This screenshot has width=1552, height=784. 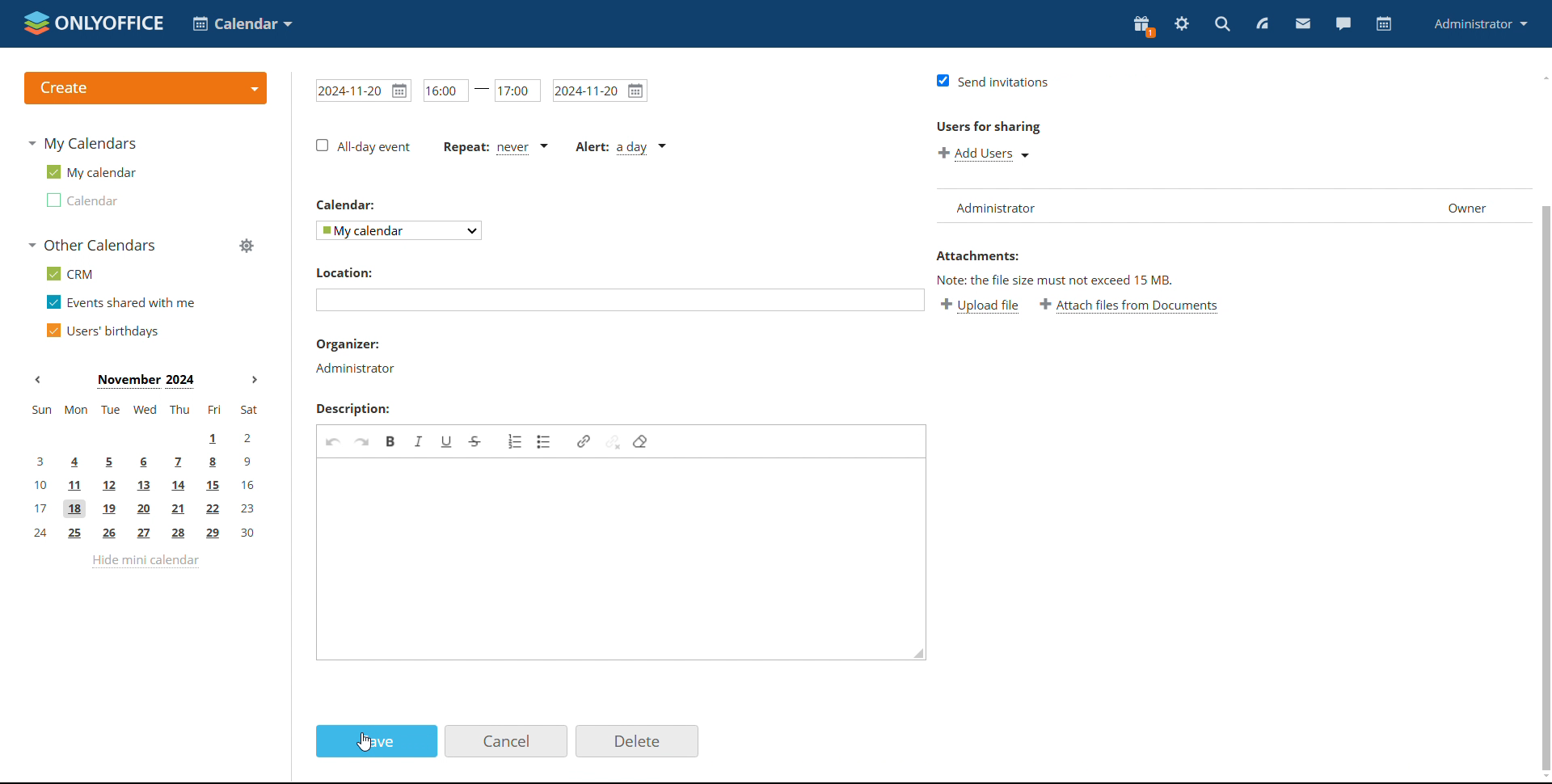 I want to click on event repetition, so click(x=495, y=147).